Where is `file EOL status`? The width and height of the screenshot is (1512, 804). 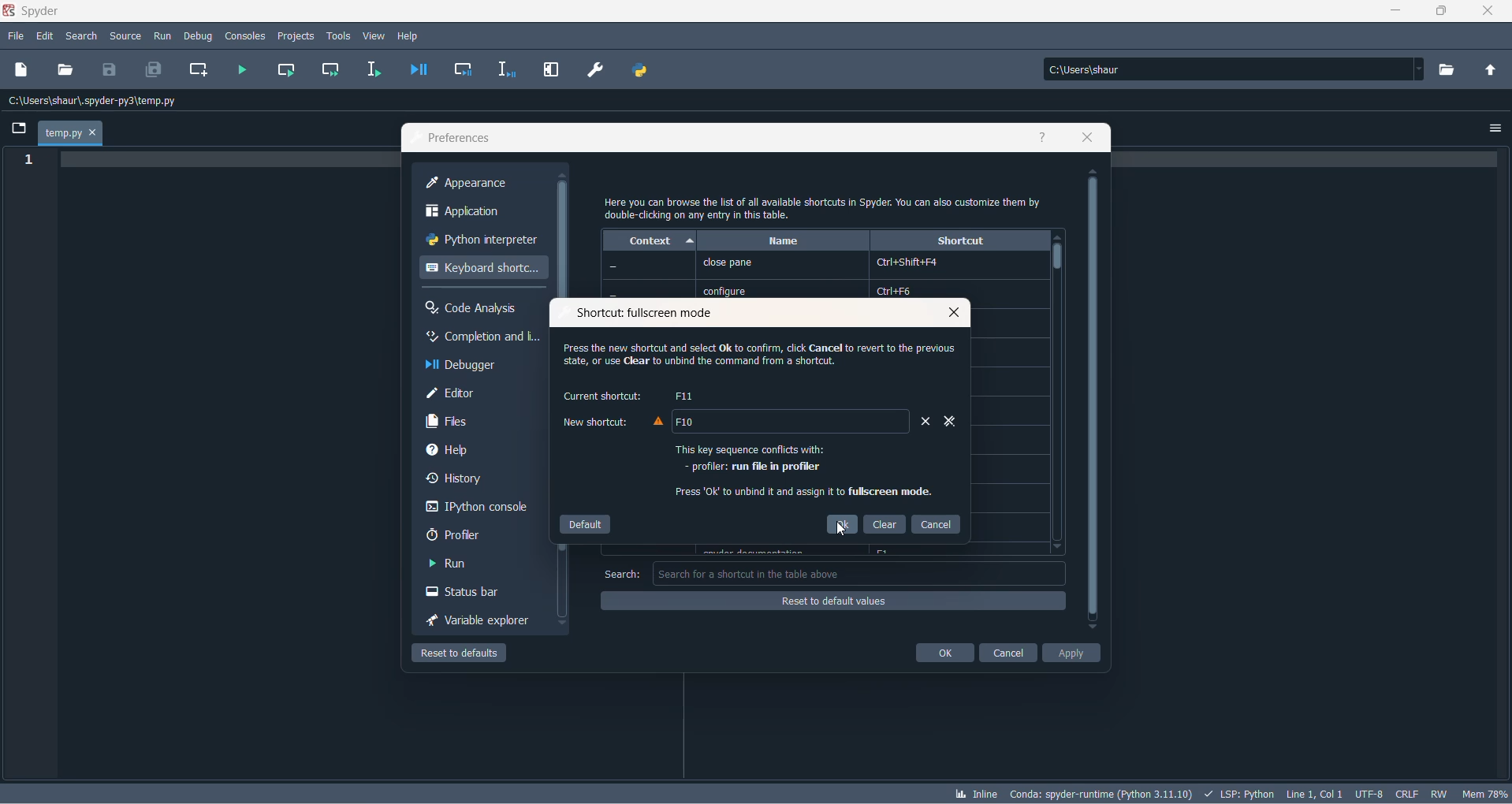
file EOL status is located at coordinates (1408, 794).